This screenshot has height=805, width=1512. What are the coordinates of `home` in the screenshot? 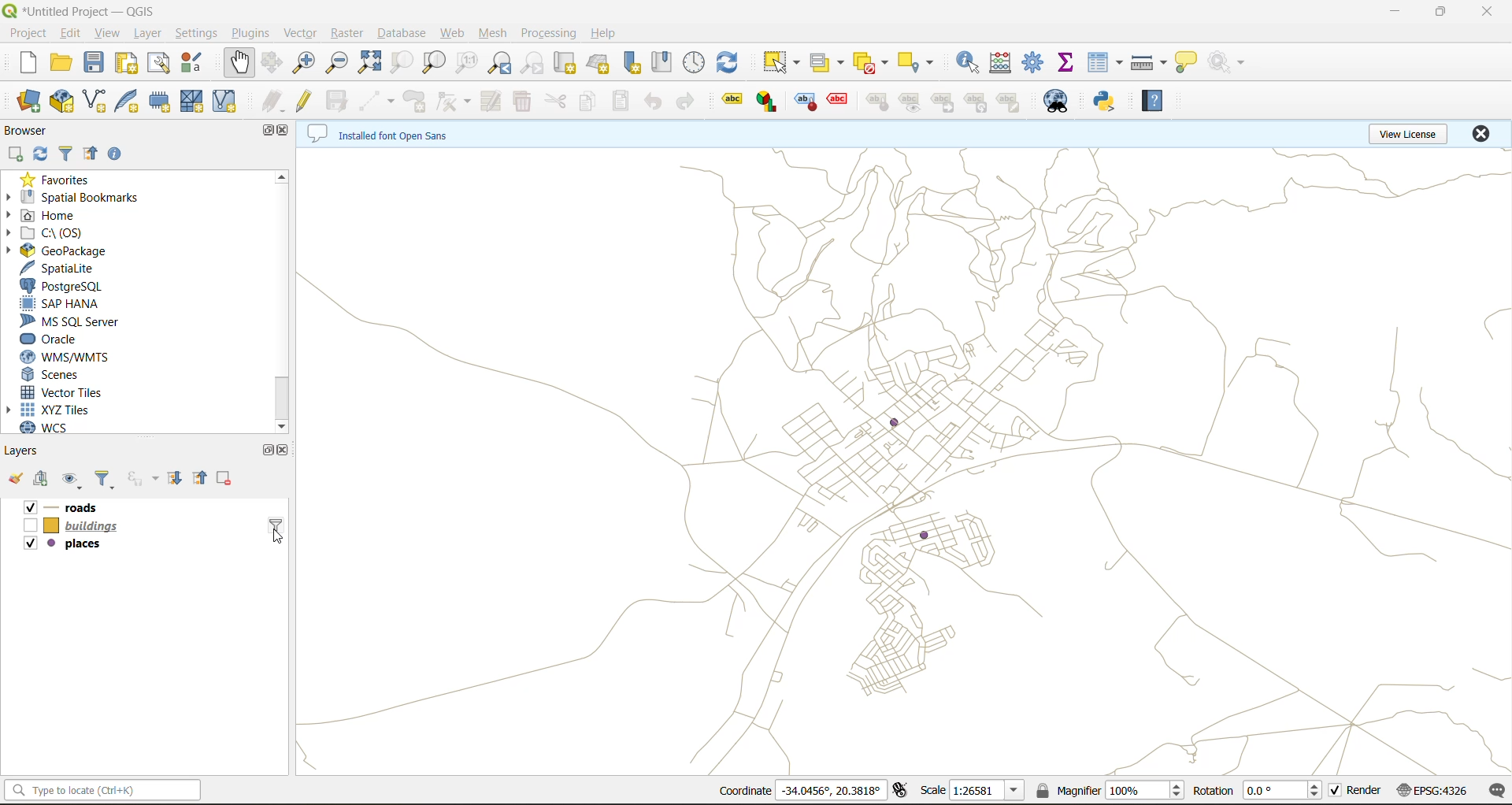 It's located at (62, 217).